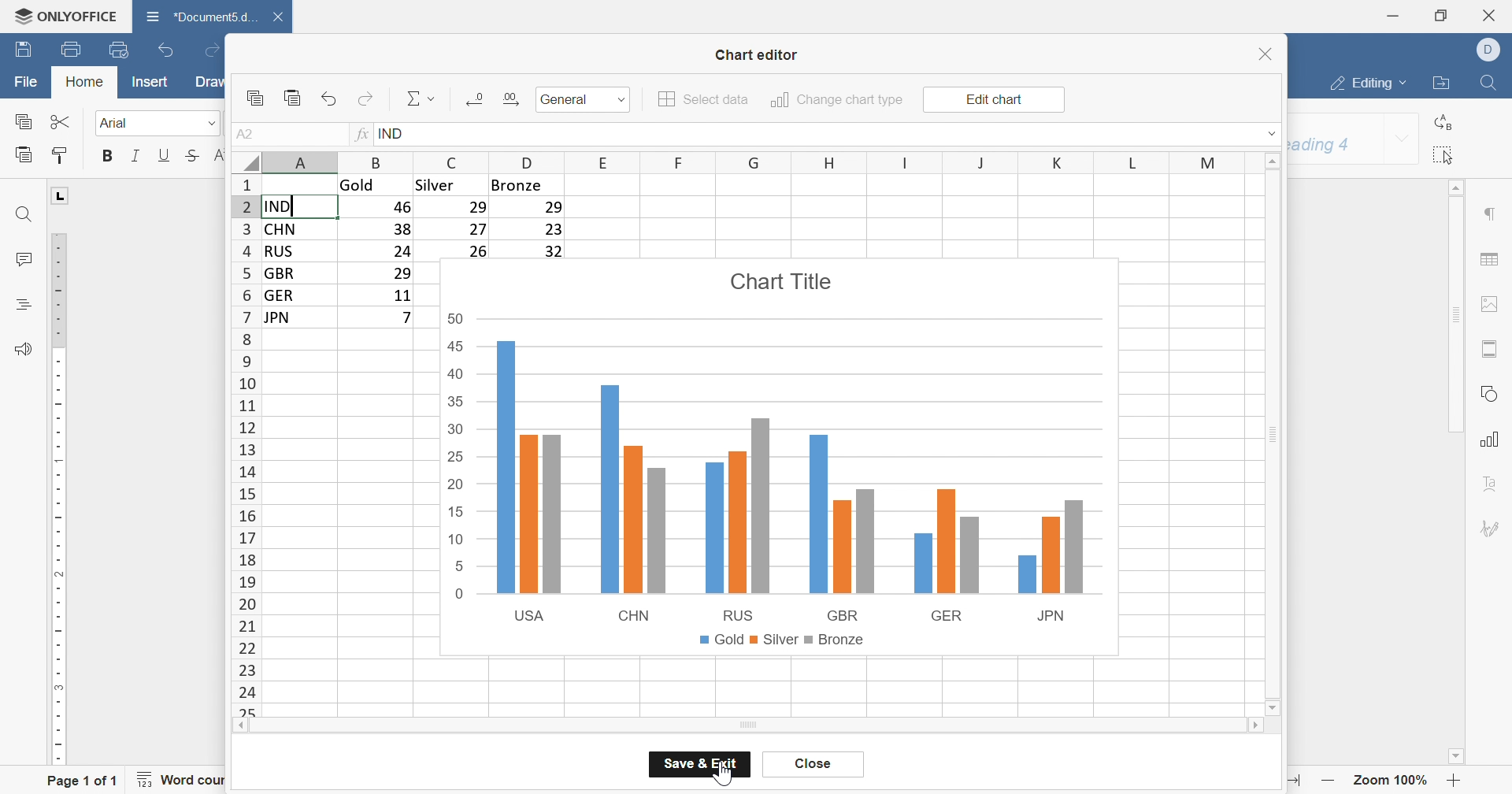 The width and height of the screenshot is (1512, 794). What do you see at coordinates (1447, 123) in the screenshot?
I see `replace` at bounding box center [1447, 123].